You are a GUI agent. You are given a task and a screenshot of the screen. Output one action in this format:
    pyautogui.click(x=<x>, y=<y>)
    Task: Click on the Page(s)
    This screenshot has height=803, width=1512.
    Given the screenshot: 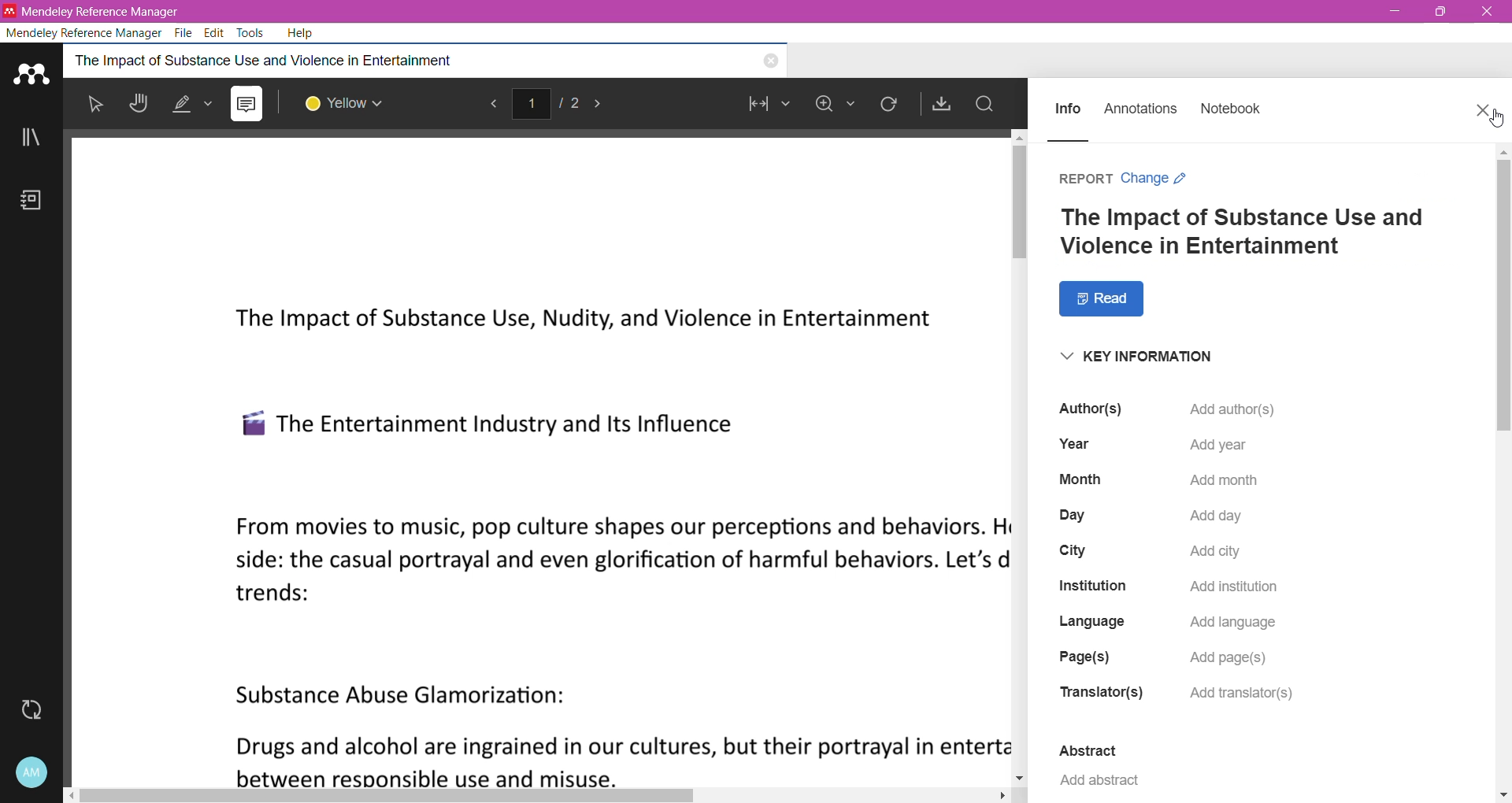 What is the action you would take?
    pyautogui.click(x=1082, y=658)
    